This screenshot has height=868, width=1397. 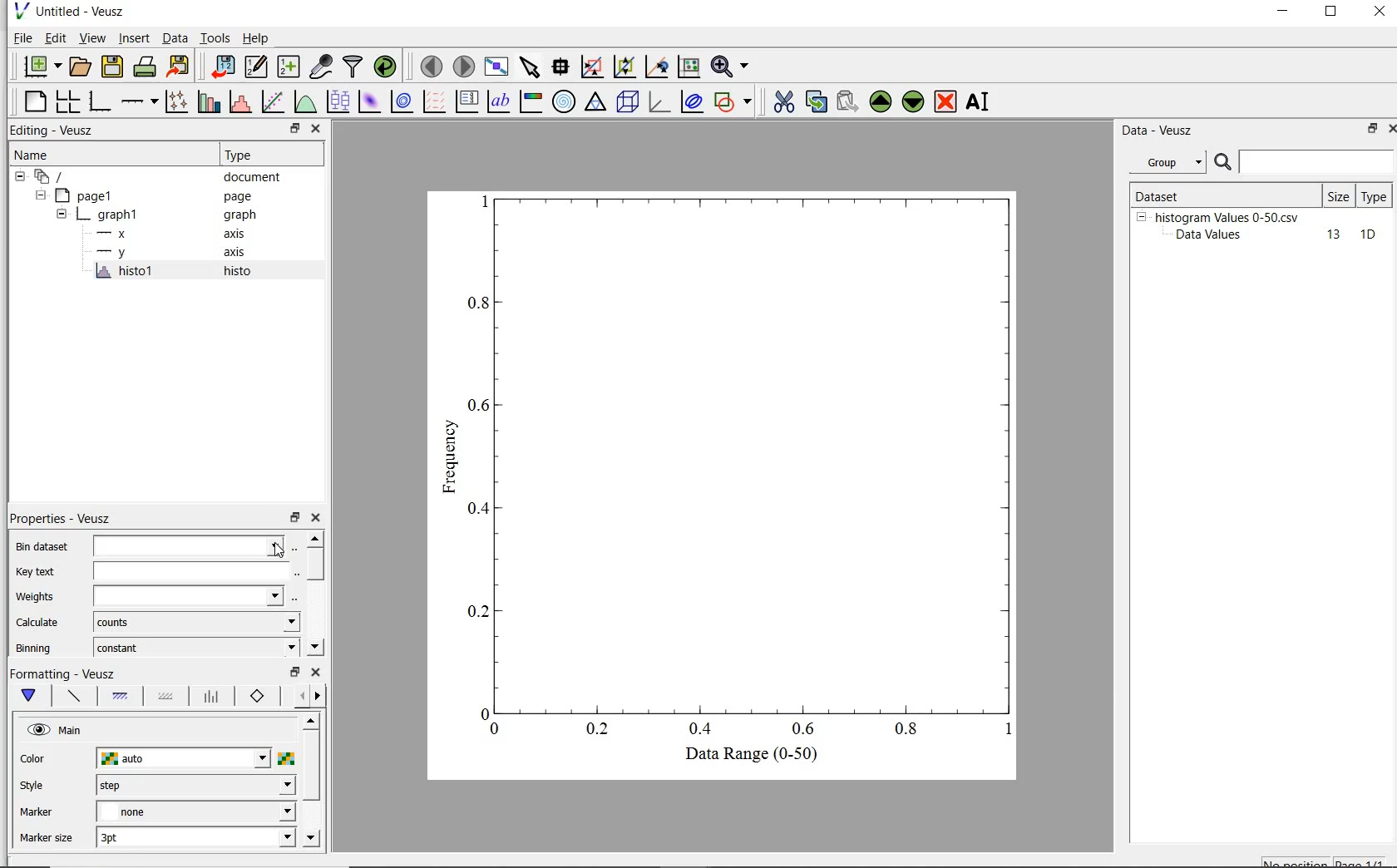 I want to click on fill over, so click(x=164, y=698).